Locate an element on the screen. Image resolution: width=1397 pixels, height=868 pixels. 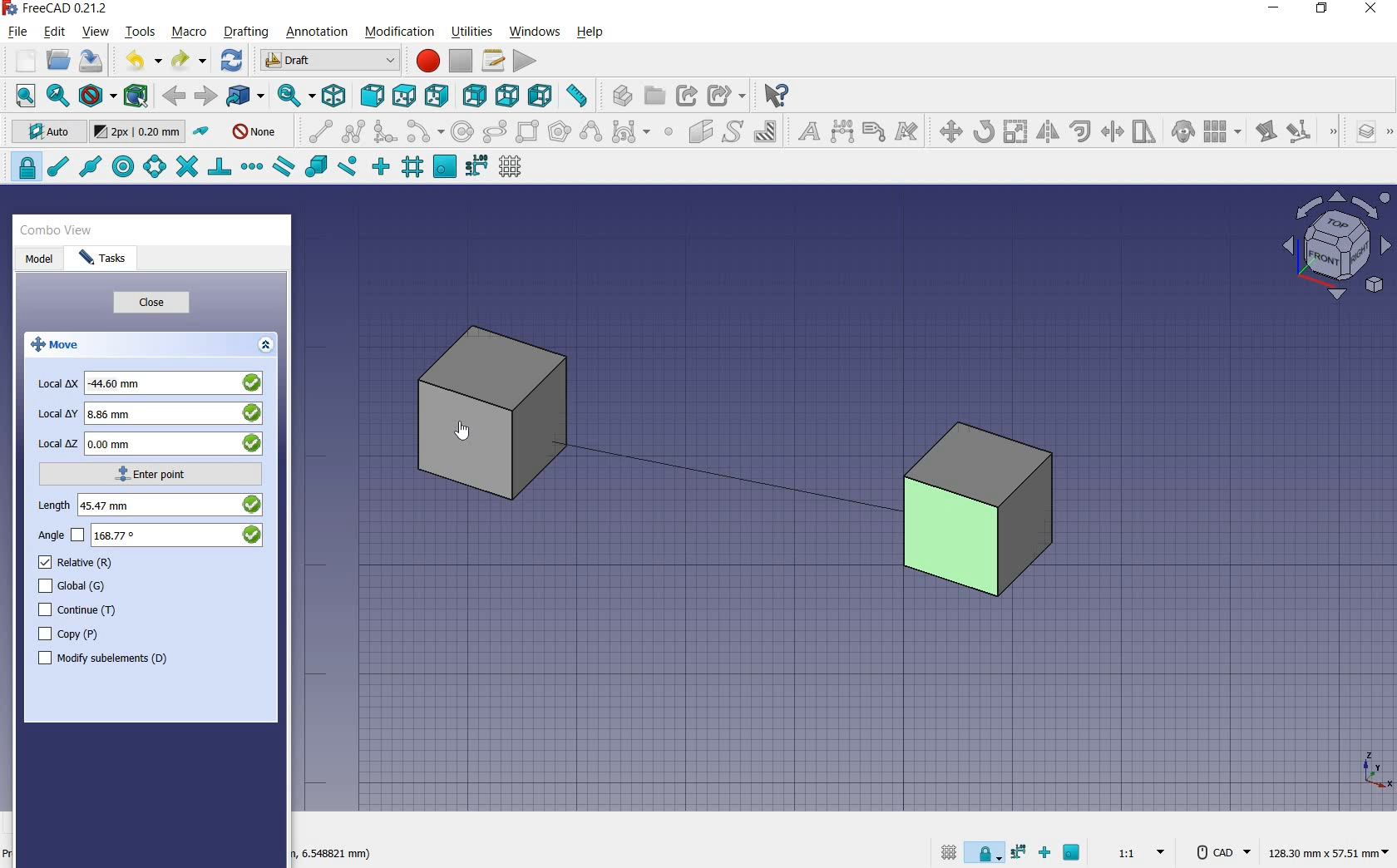
subelement highlight is located at coordinates (1299, 133).